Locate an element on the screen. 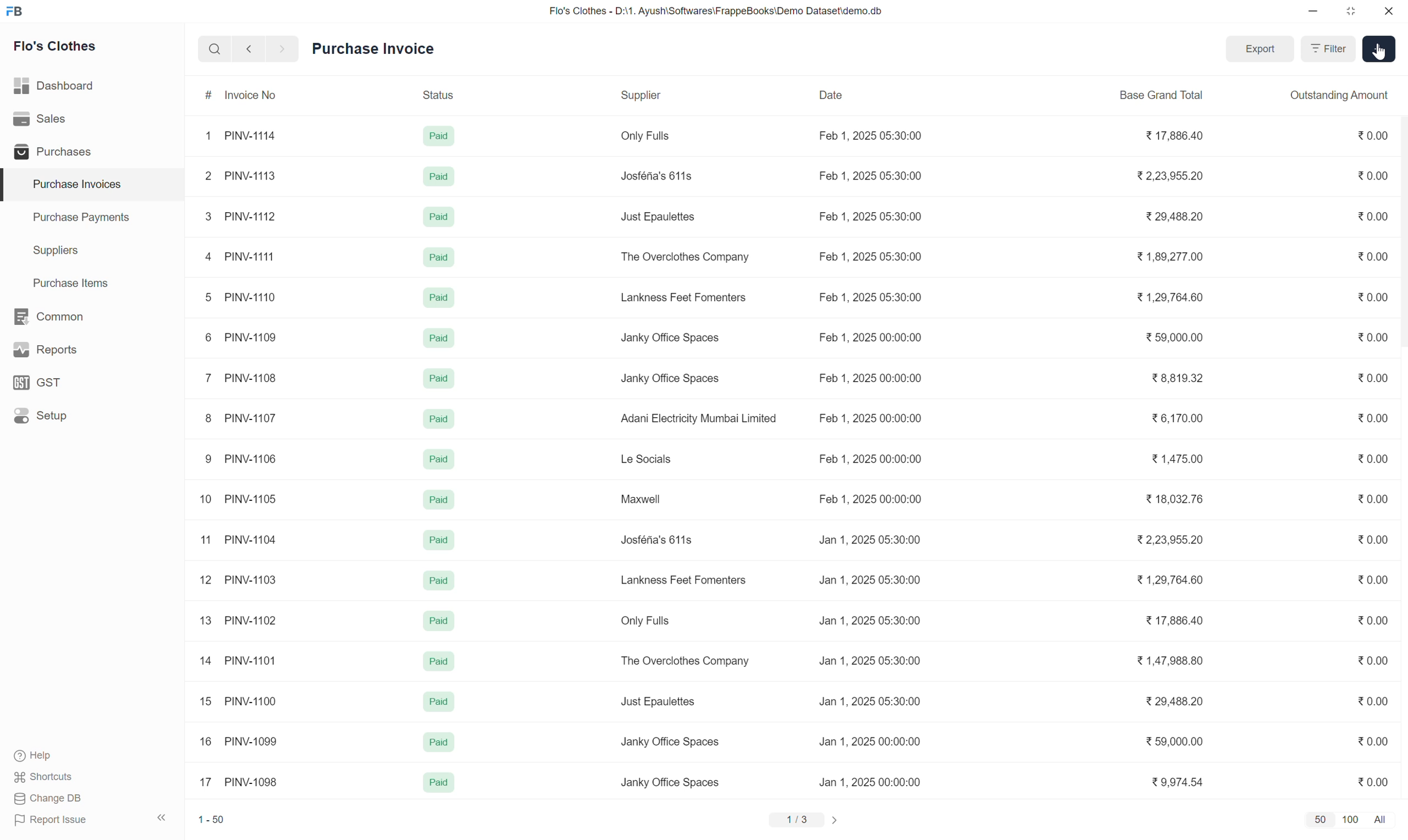  1-50 is located at coordinates (211, 820).